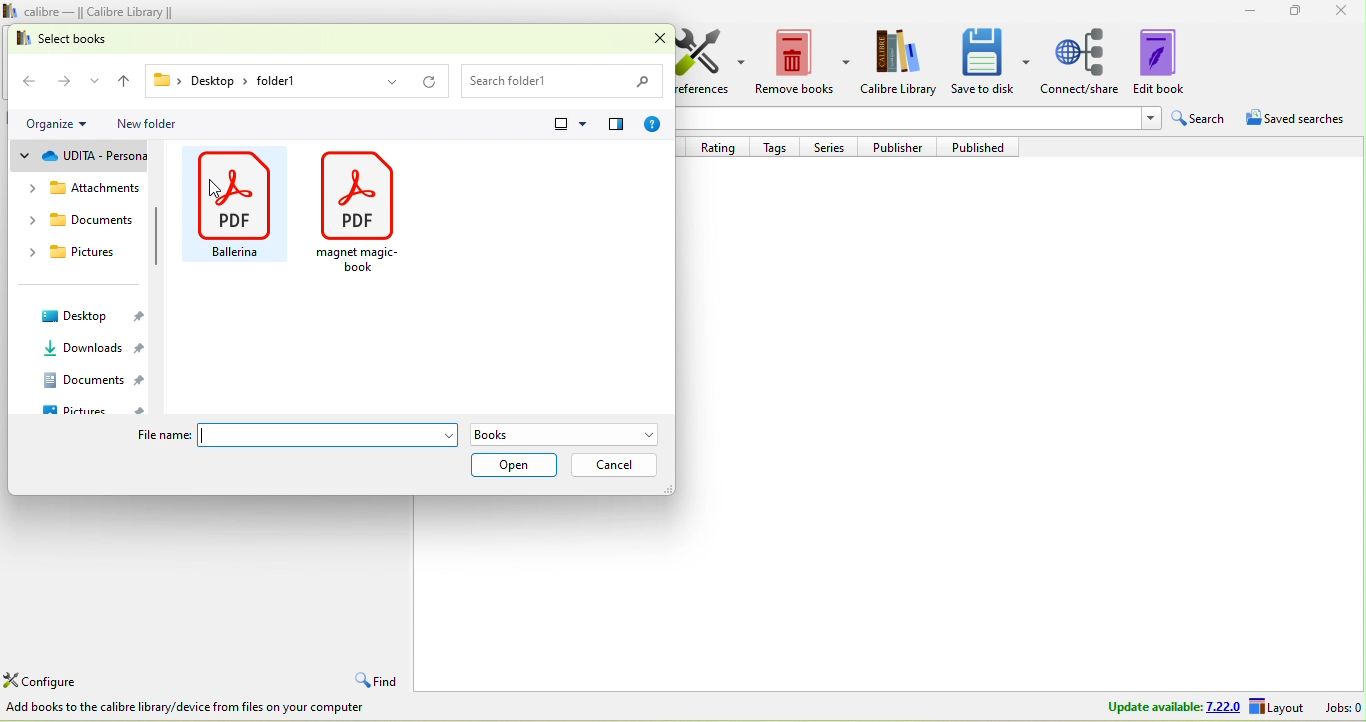 The width and height of the screenshot is (1366, 722). Describe the element at coordinates (87, 39) in the screenshot. I see `select books` at that location.